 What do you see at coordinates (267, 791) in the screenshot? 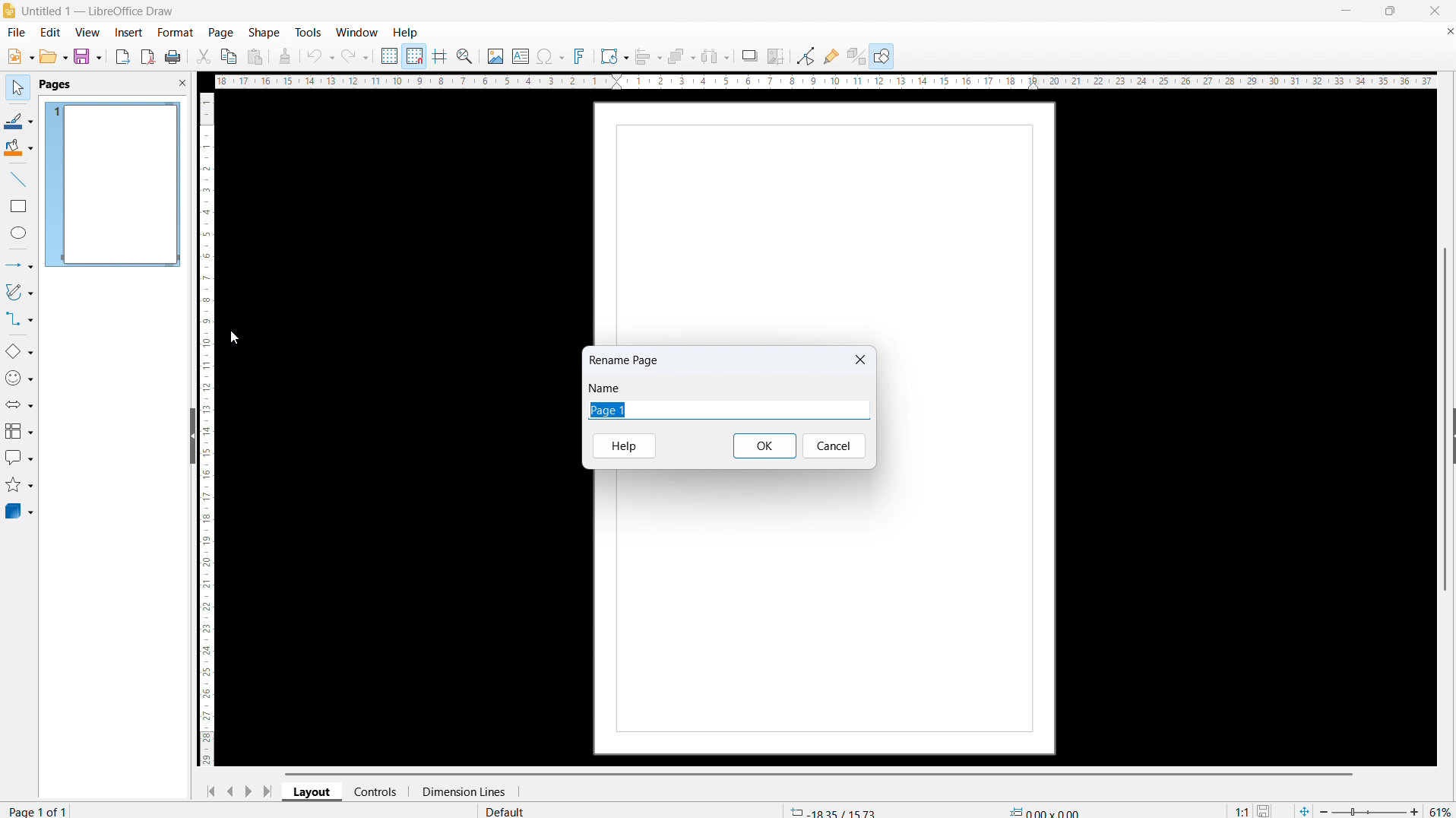
I see `go to last page` at bounding box center [267, 791].